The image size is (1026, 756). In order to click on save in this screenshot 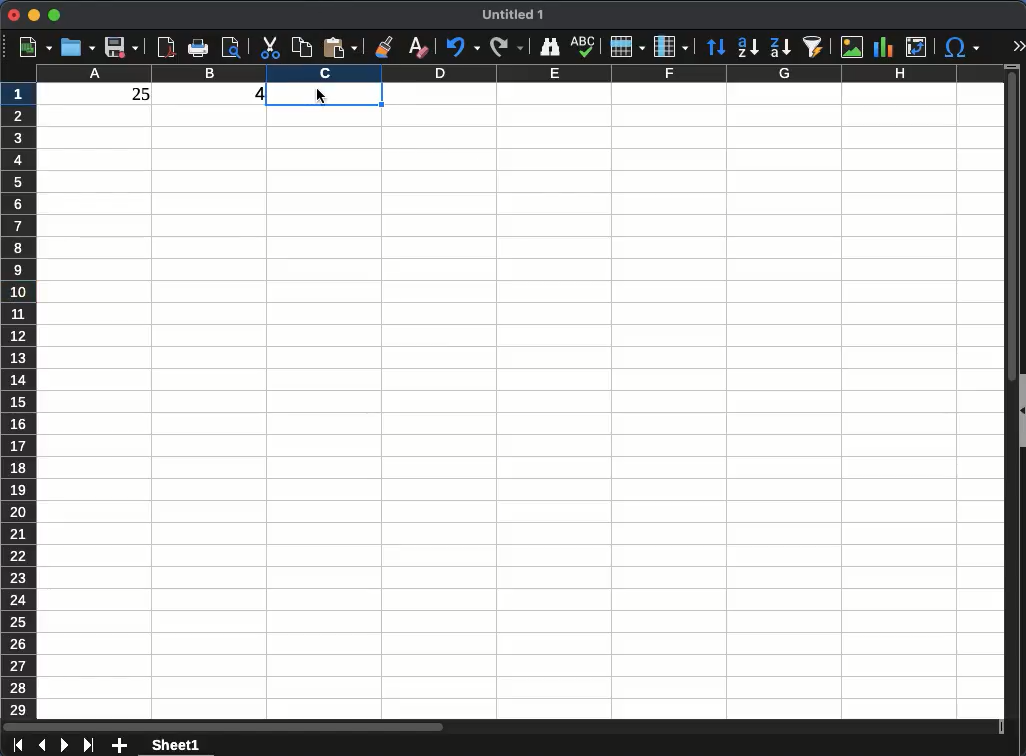, I will do `click(120, 49)`.